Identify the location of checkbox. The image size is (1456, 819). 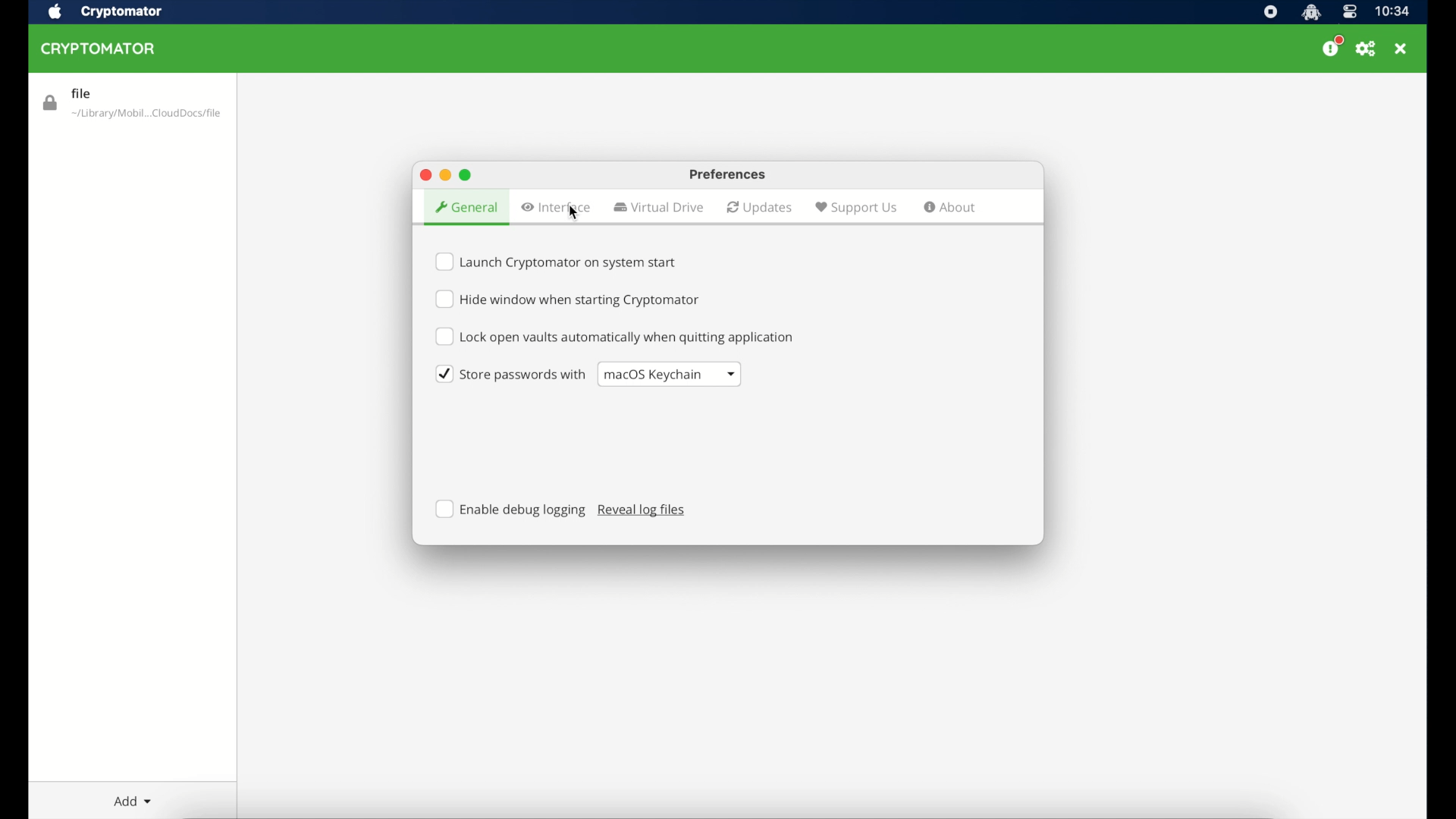
(511, 375).